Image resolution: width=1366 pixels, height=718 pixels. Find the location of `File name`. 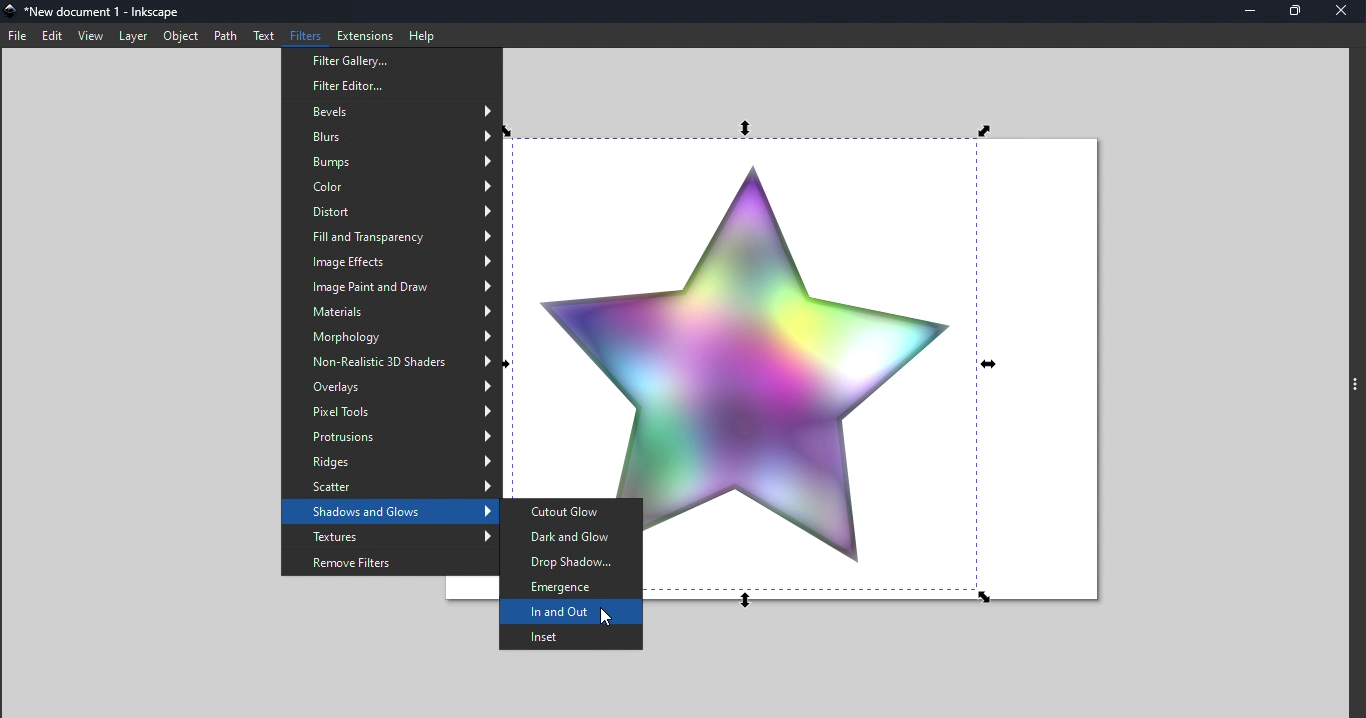

File name is located at coordinates (106, 13).